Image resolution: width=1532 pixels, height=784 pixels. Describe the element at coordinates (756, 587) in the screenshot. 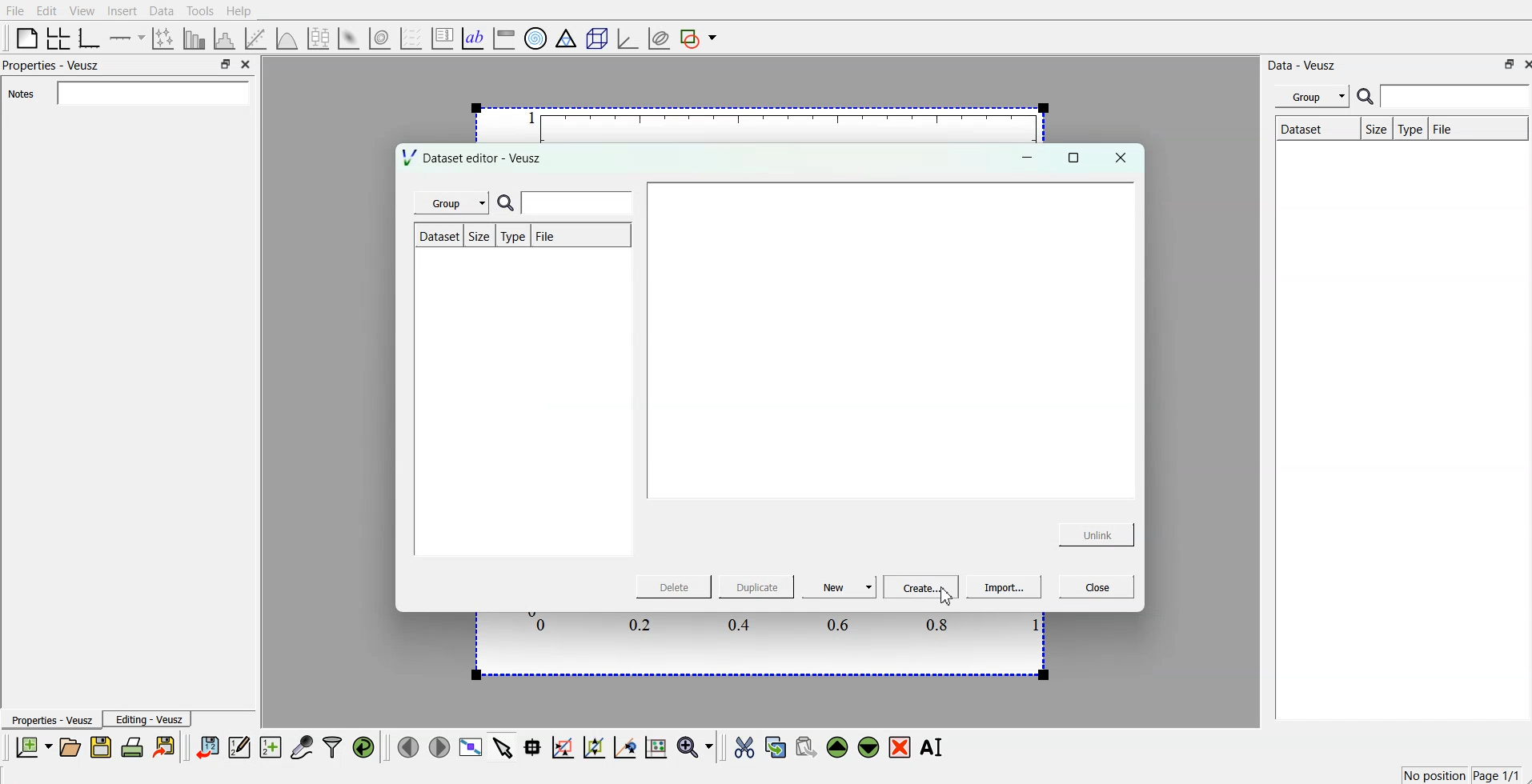

I see `Duplicate` at that location.